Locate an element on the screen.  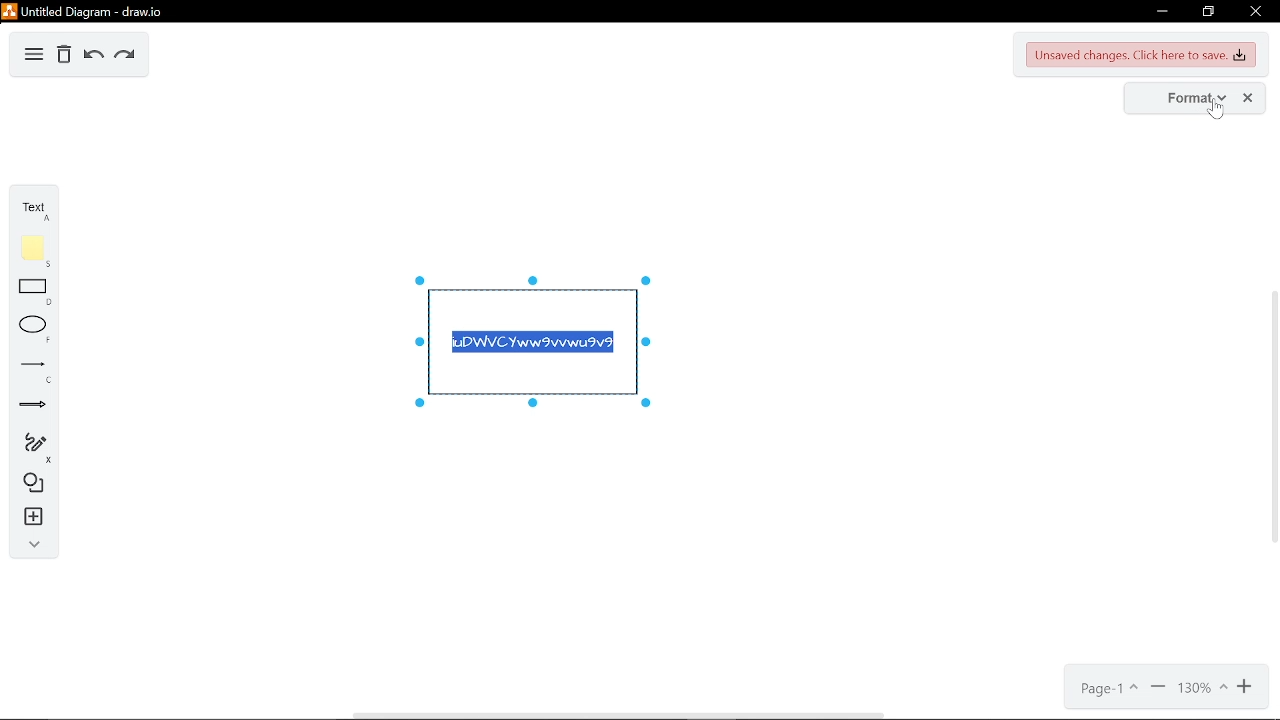
Unsaved changes. Click here to save changes is located at coordinates (1138, 55).